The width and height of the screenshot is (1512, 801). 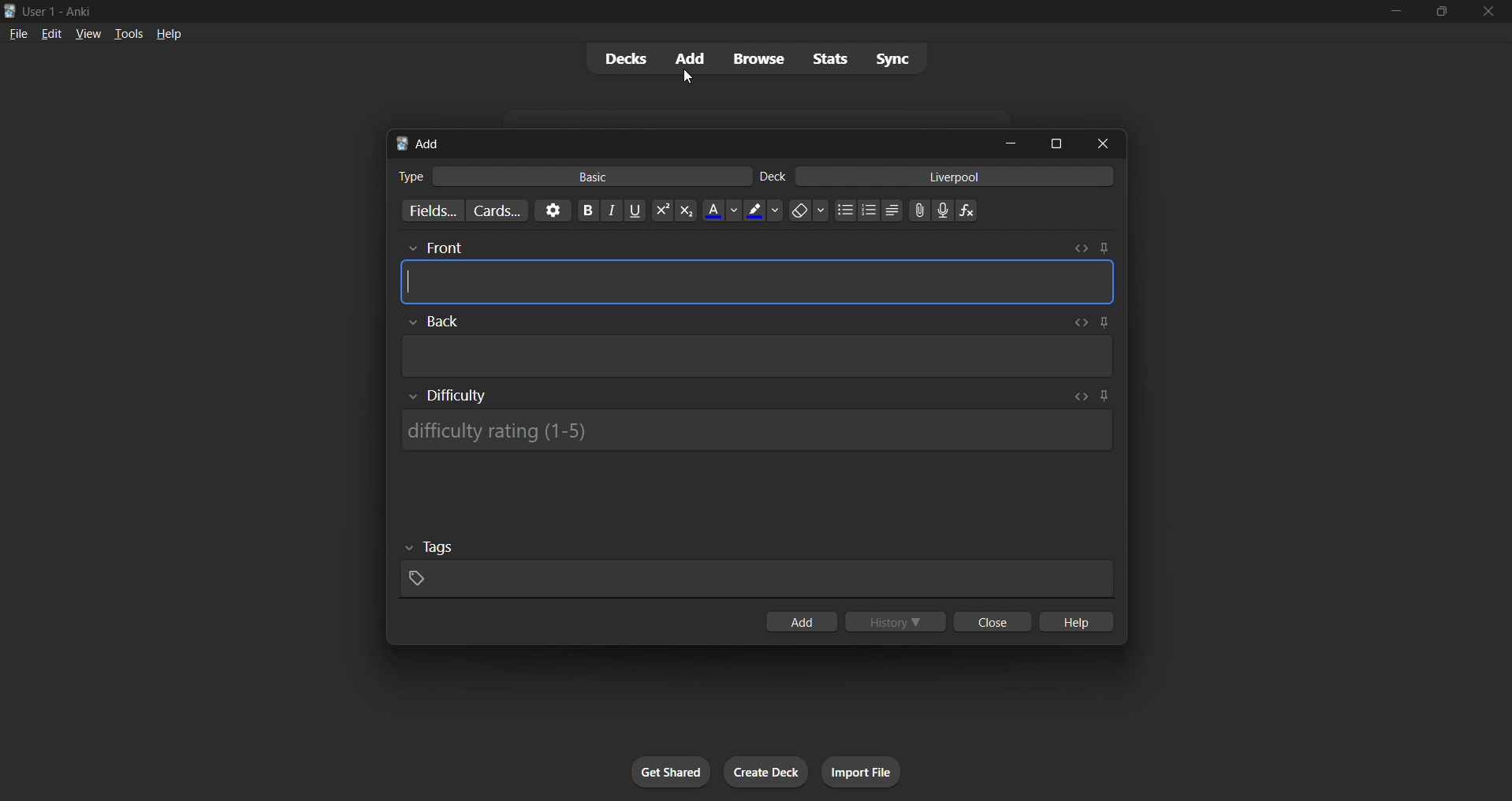 What do you see at coordinates (1078, 623) in the screenshot?
I see `hlep` at bounding box center [1078, 623].